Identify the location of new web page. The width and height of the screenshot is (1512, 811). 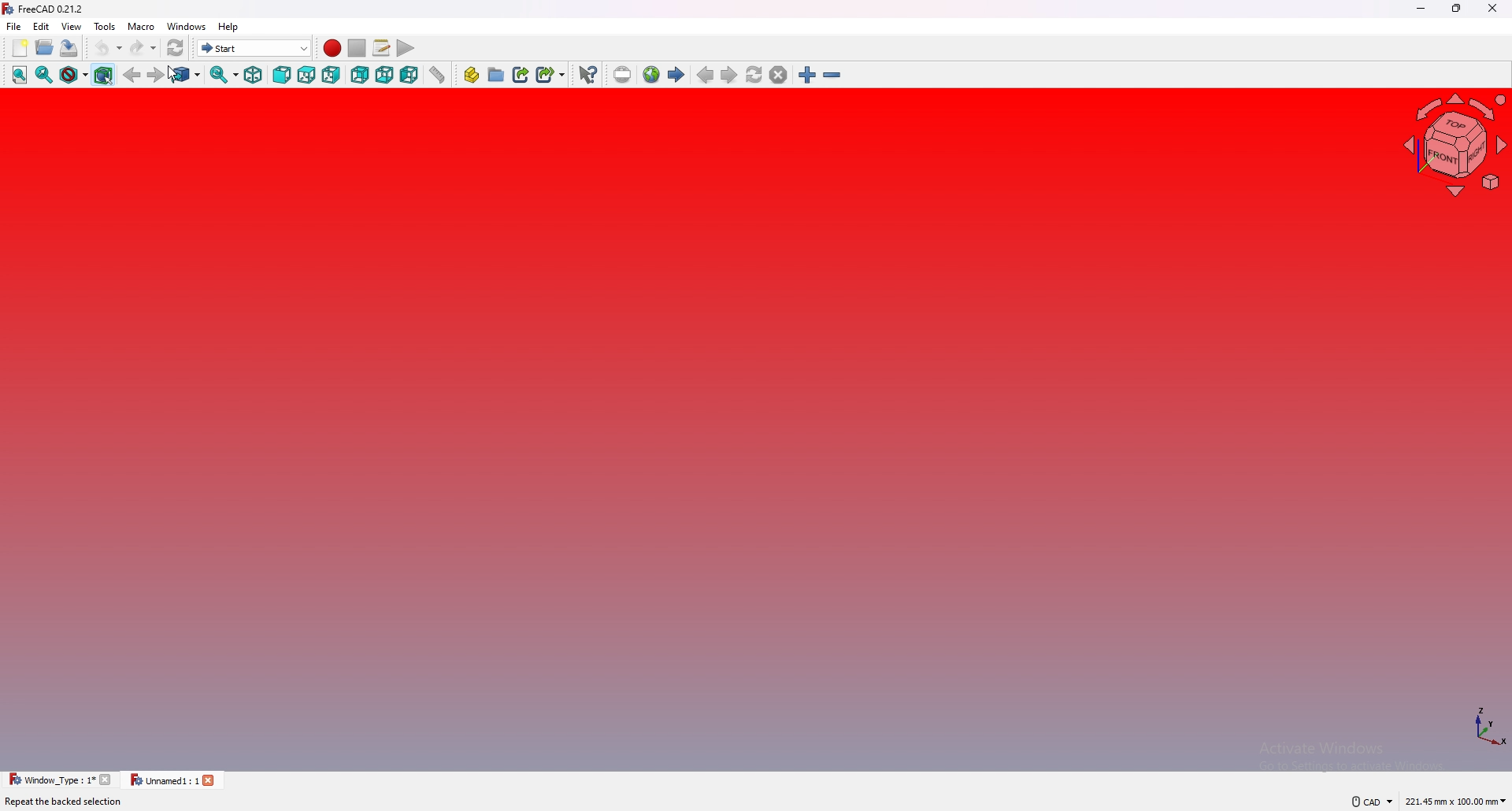
(651, 74).